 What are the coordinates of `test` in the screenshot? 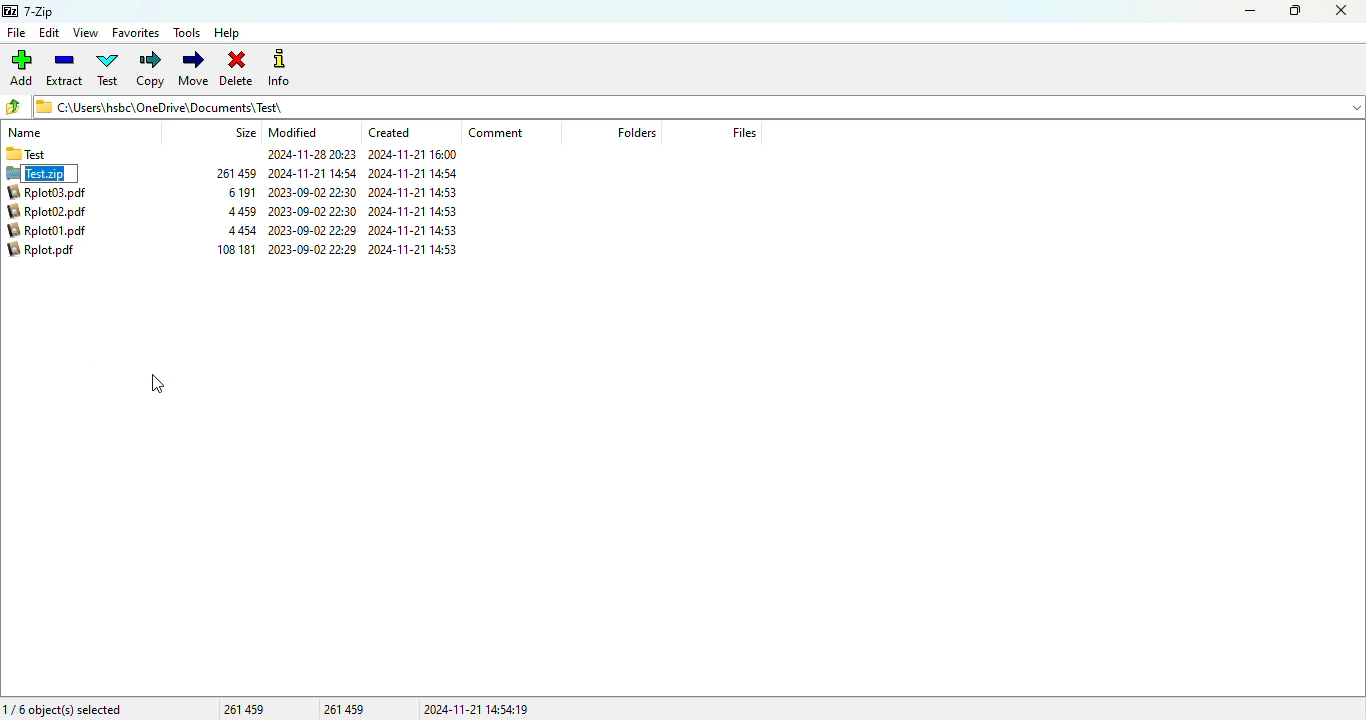 It's located at (108, 69).